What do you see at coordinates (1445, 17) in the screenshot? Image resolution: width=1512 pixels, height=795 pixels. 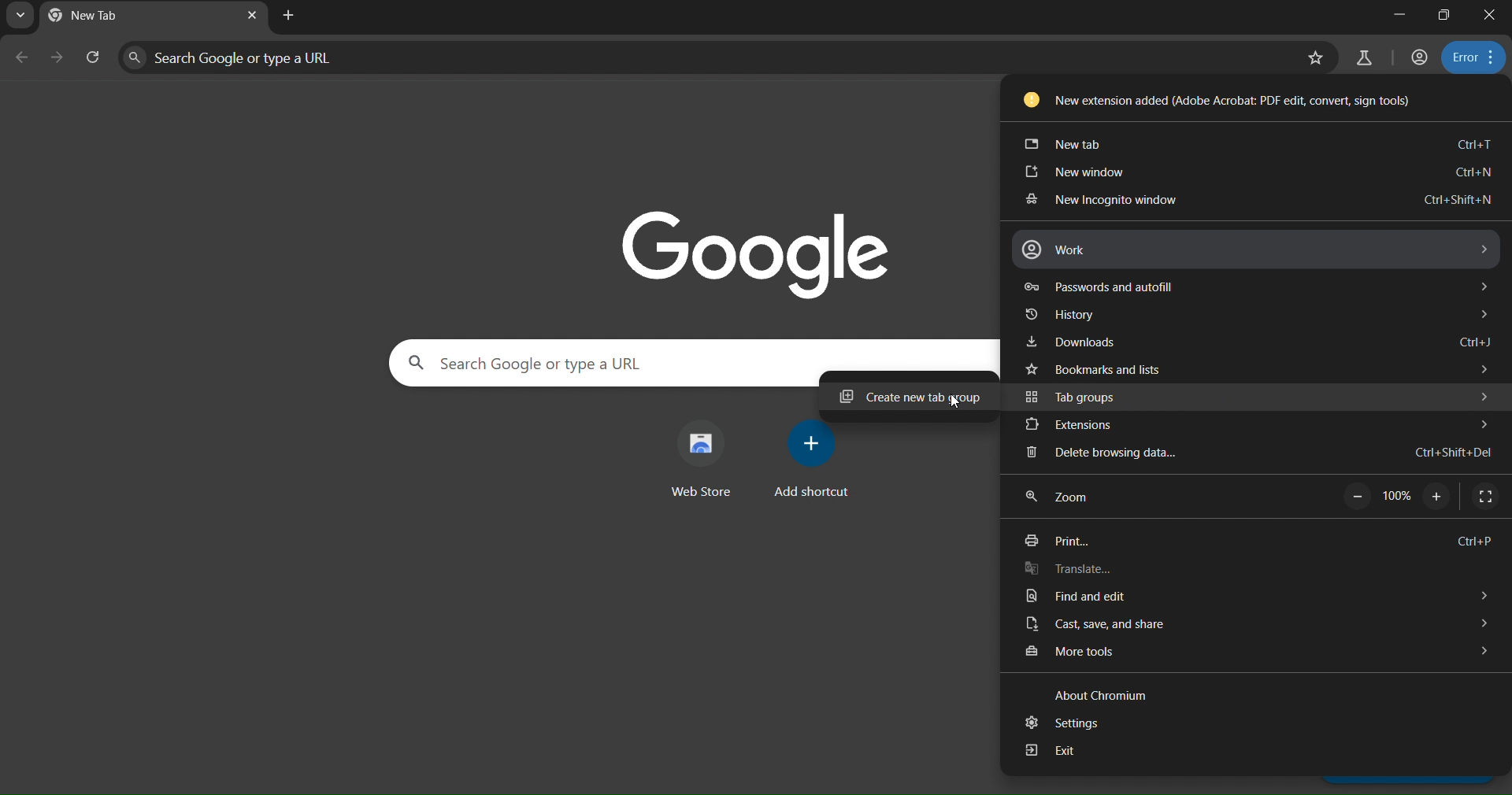 I see `restore down` at bounding box center [1445, 17].